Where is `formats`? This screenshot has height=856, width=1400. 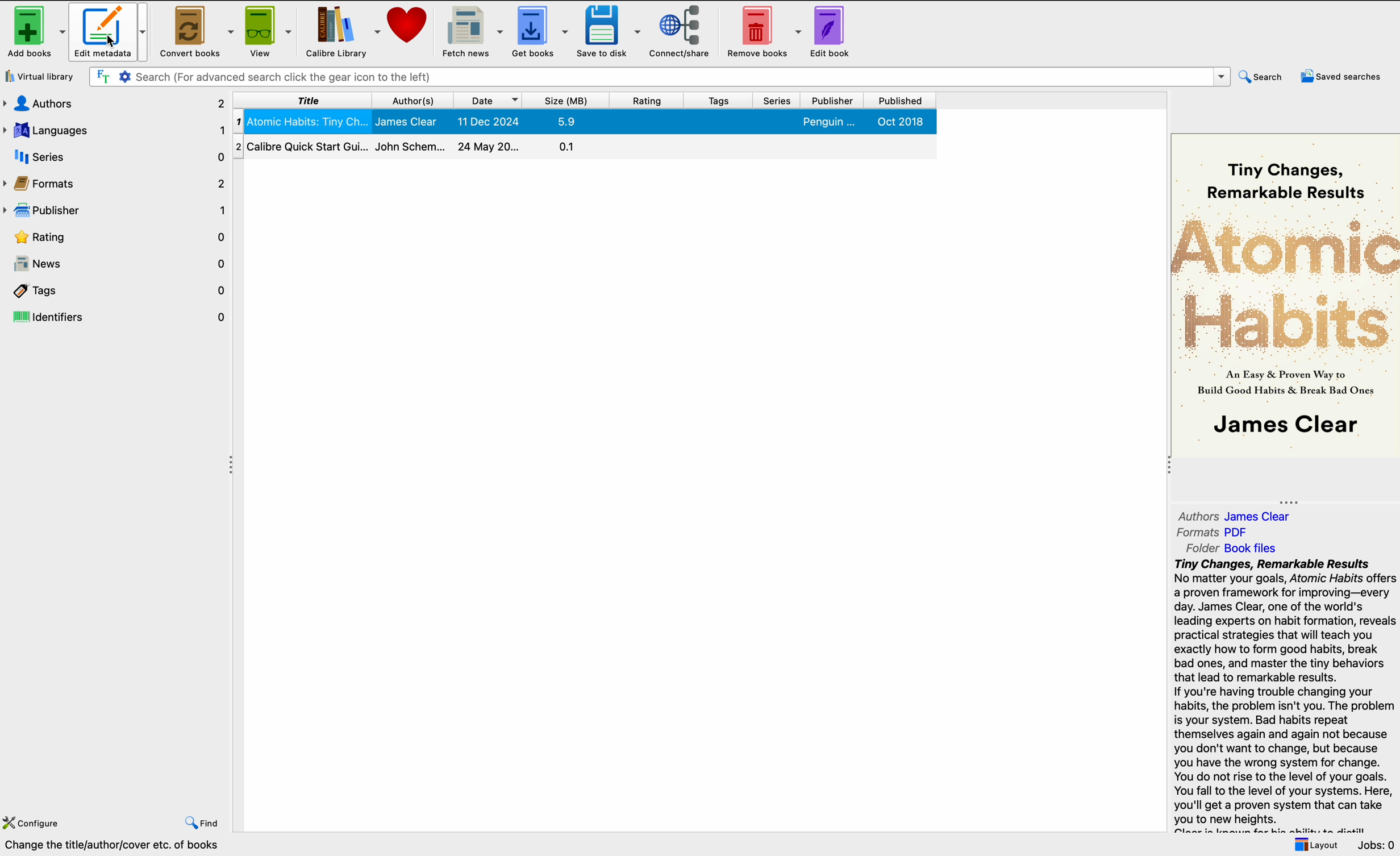
formats is located at coordinates (115, 184).